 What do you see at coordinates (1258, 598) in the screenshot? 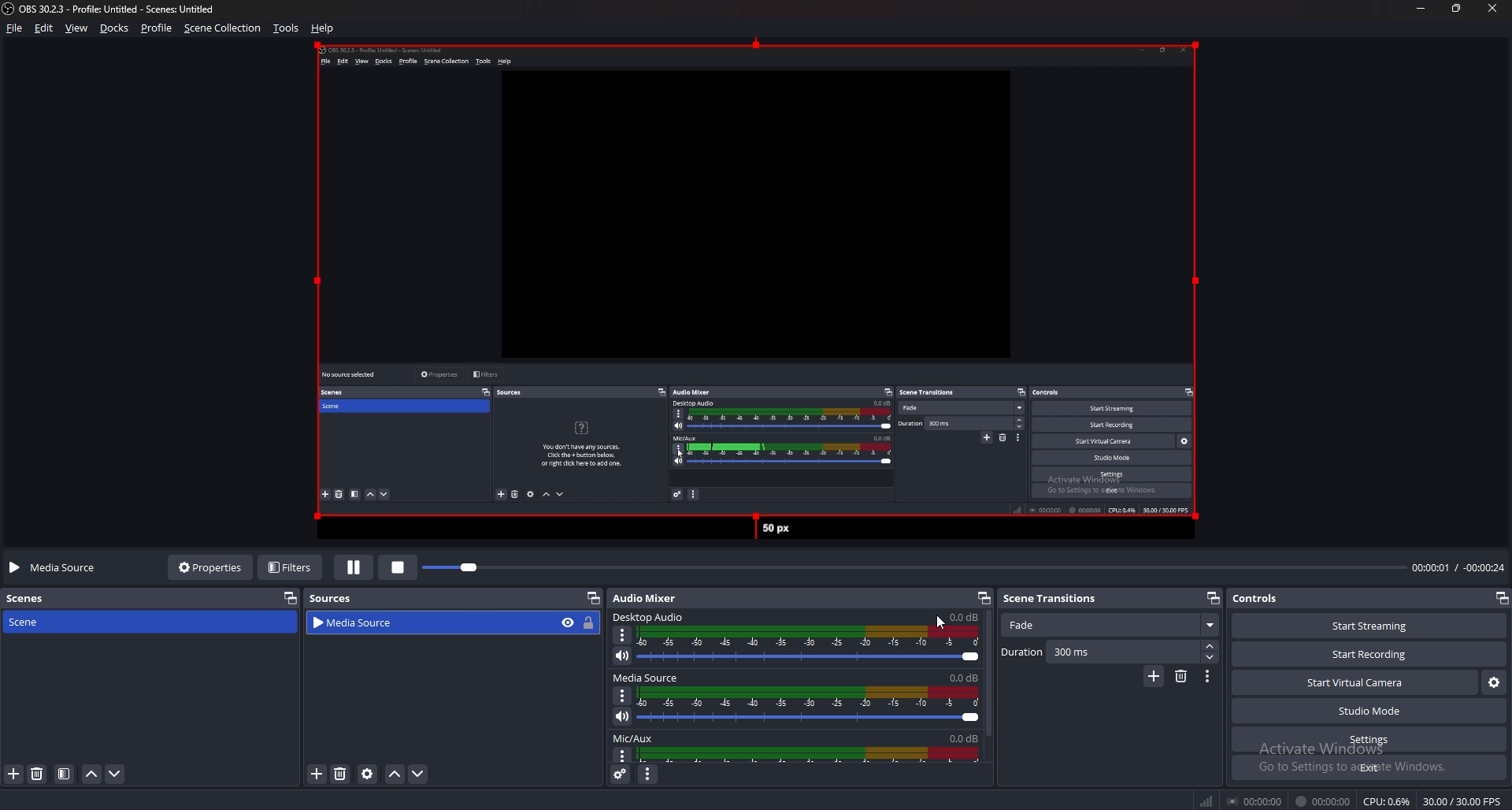
I see `Controls ` at bounding box center [1258, 598].